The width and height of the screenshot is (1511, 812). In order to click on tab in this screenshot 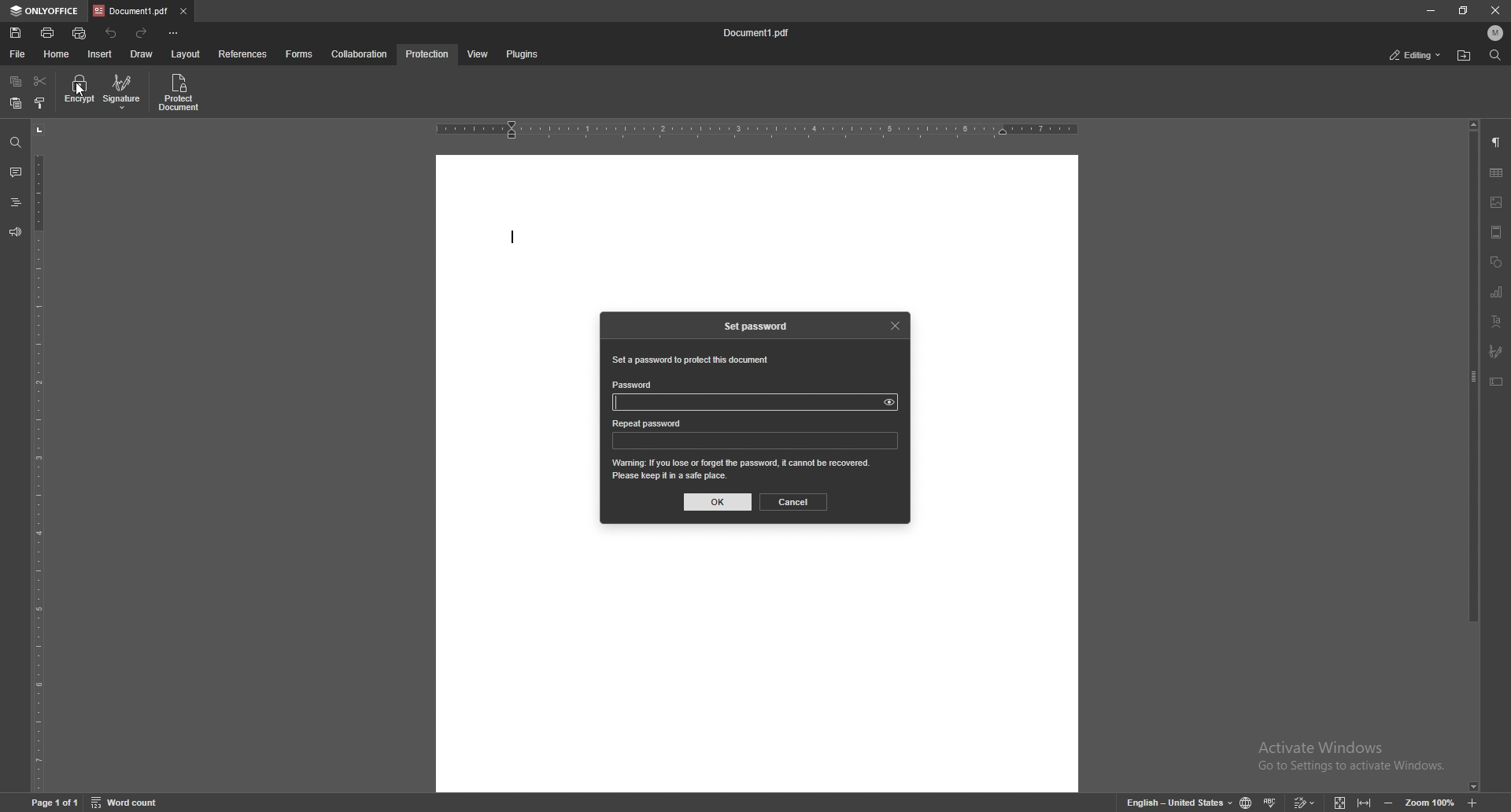, I will do `click(131, 12)`.